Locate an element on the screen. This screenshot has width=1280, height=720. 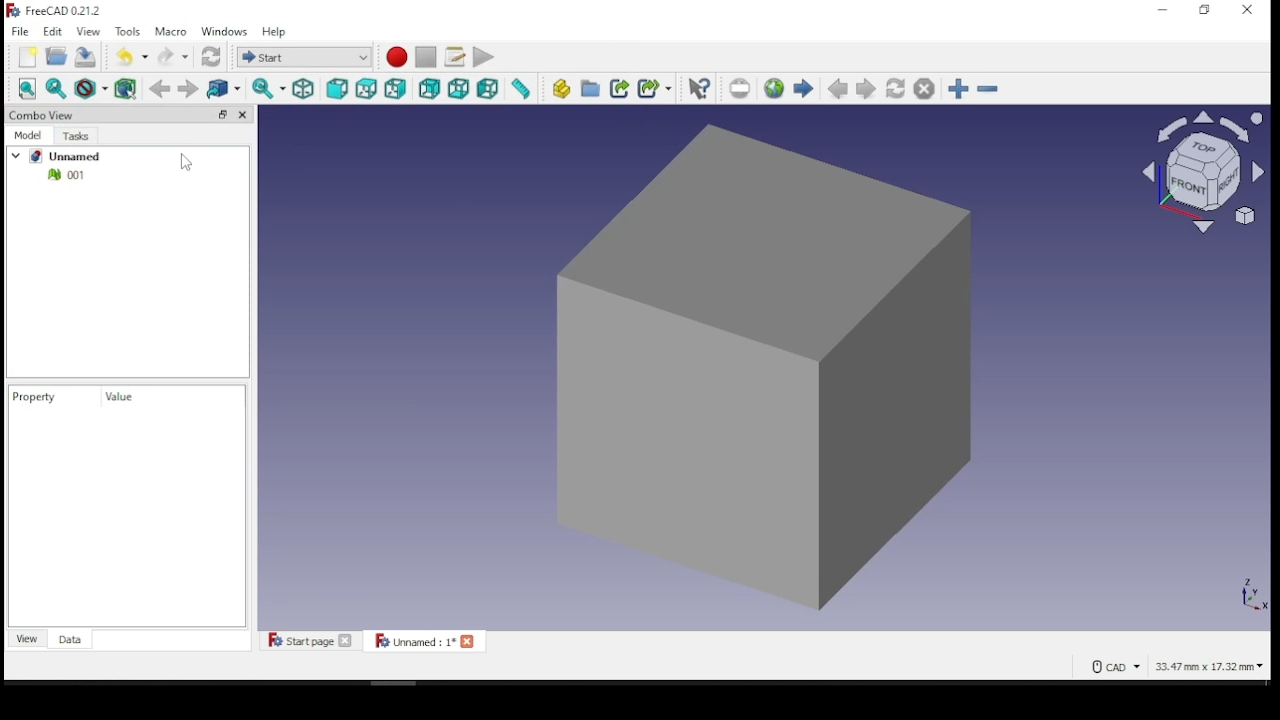
previous page is located at coordinates (836, 89).